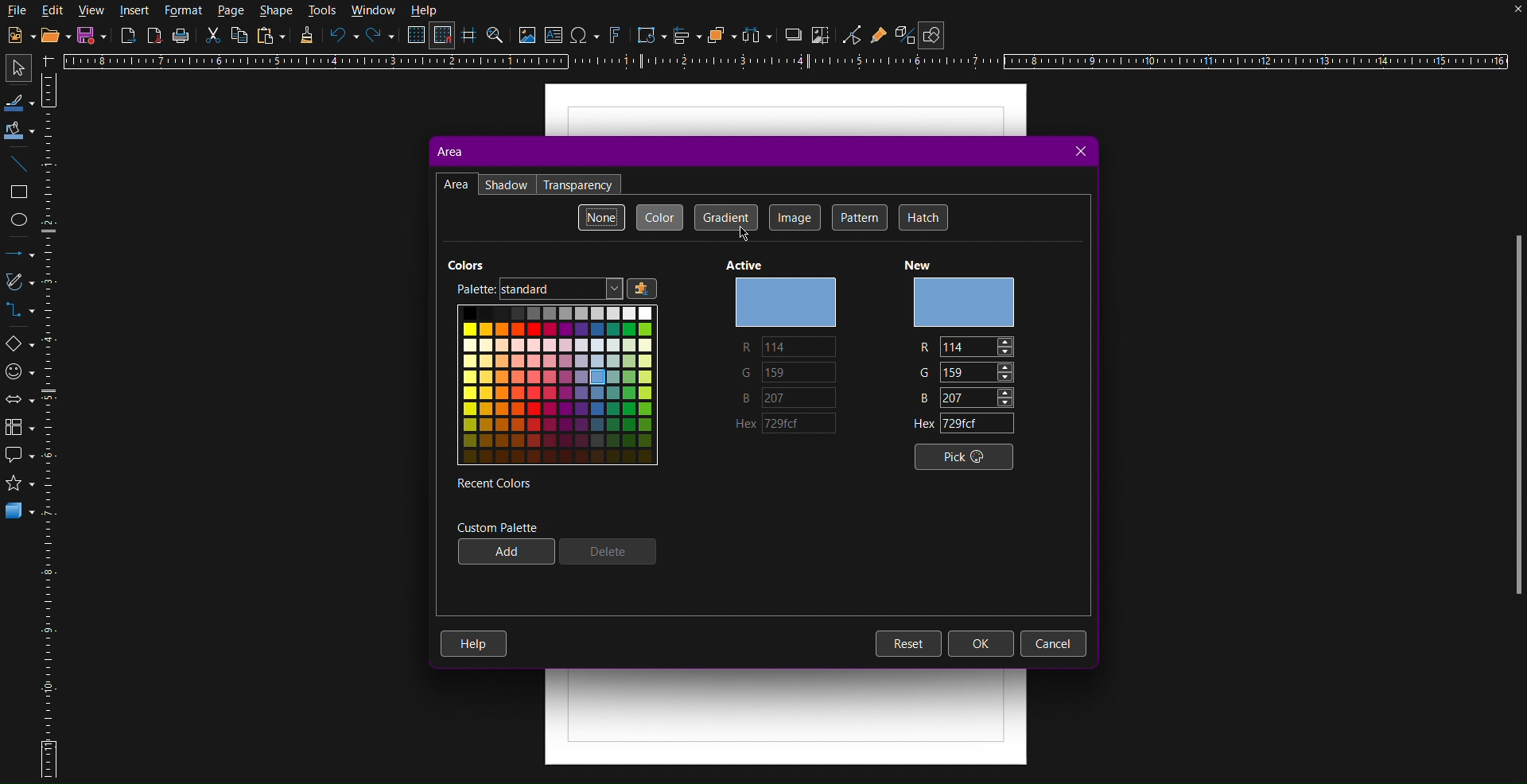 This screenshot has width=1527, height=784. I want to click on Active Hex, so click(792, 427).